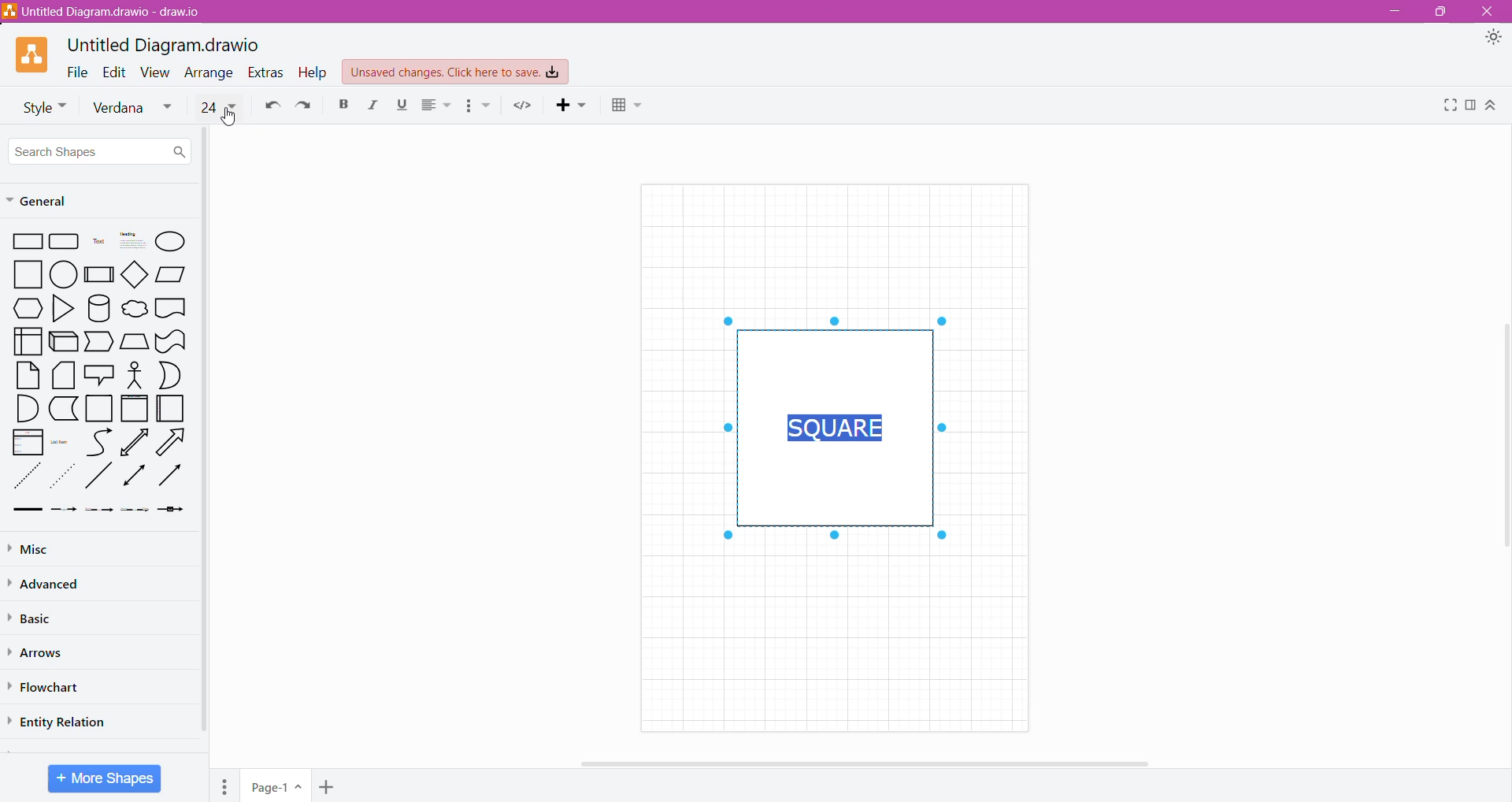  I want to click on Text, so click(98, 243).